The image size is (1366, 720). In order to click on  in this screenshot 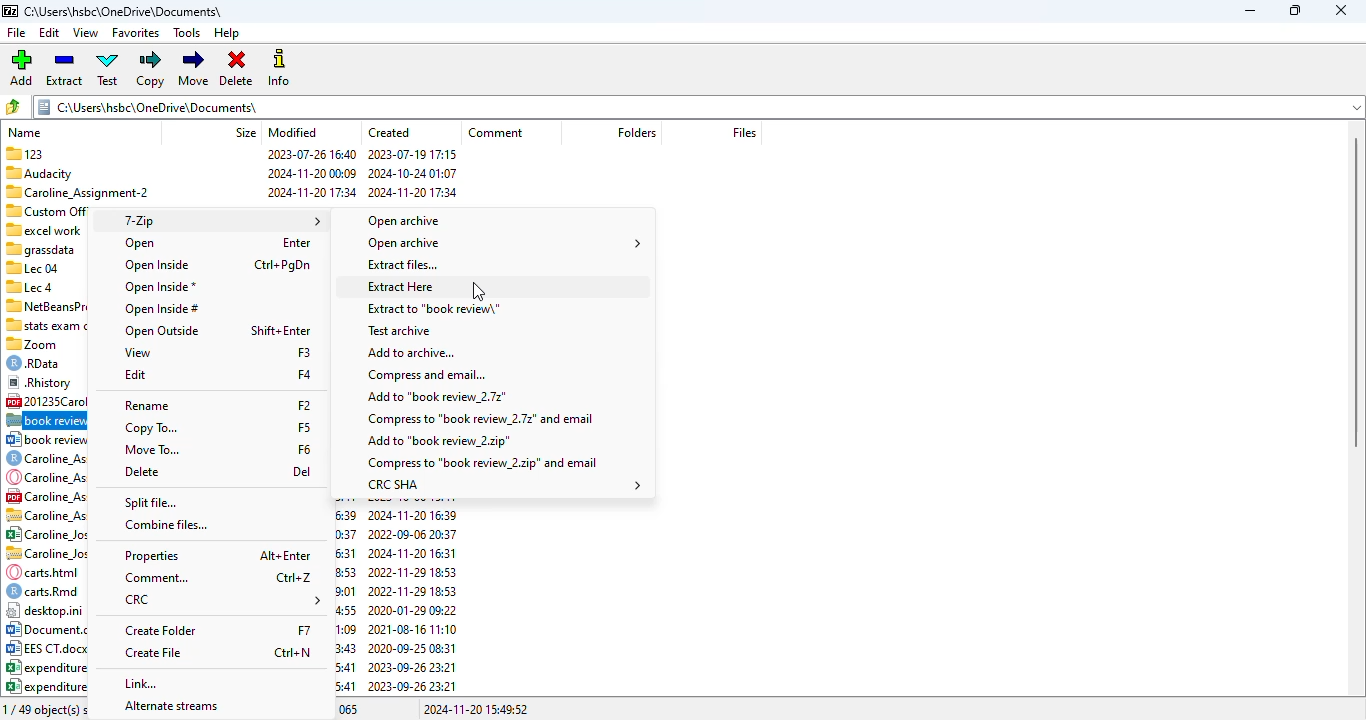, I will do `click(39, 248)`.